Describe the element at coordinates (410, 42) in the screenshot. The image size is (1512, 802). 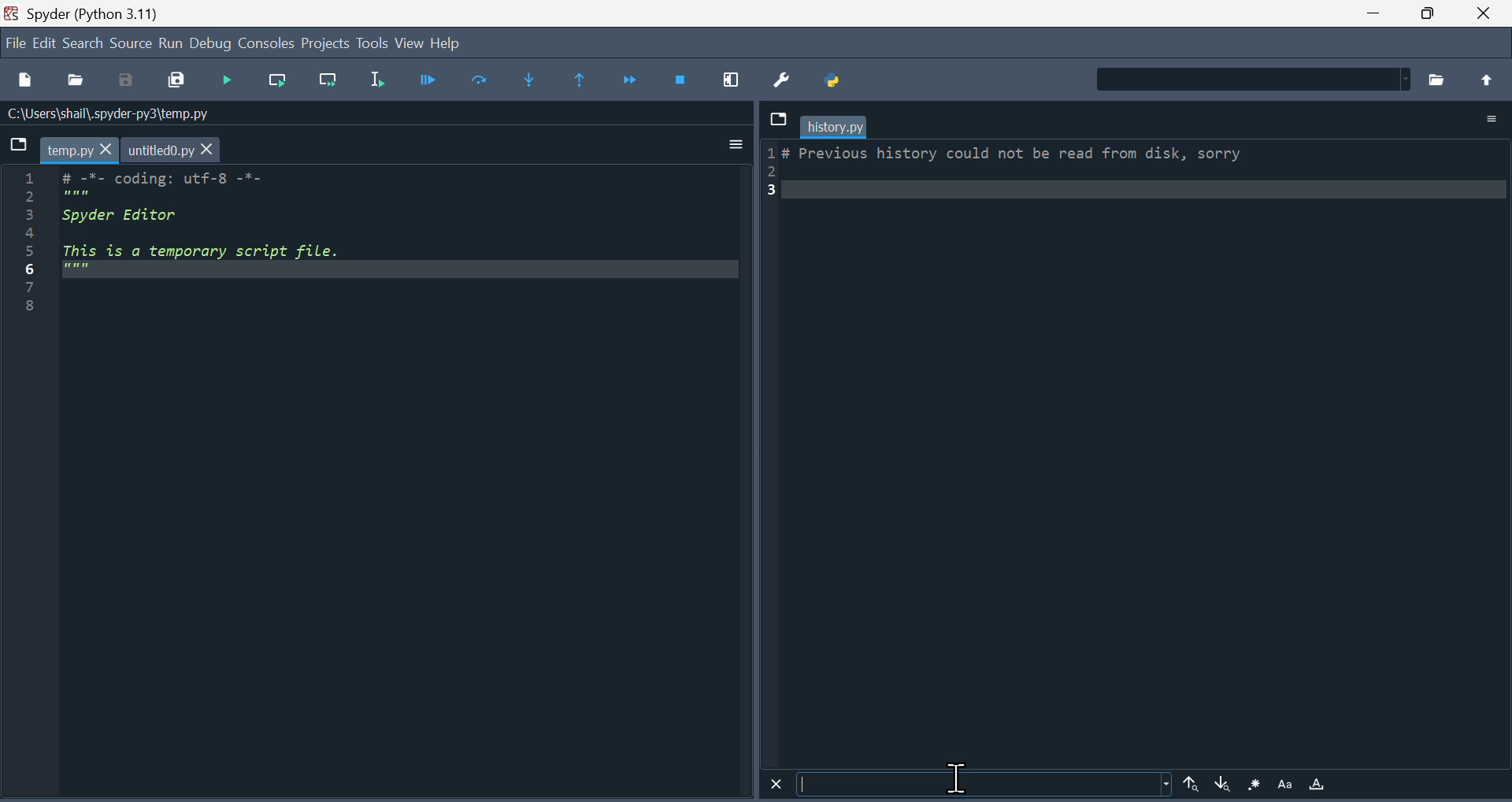
I see `view` at that location.